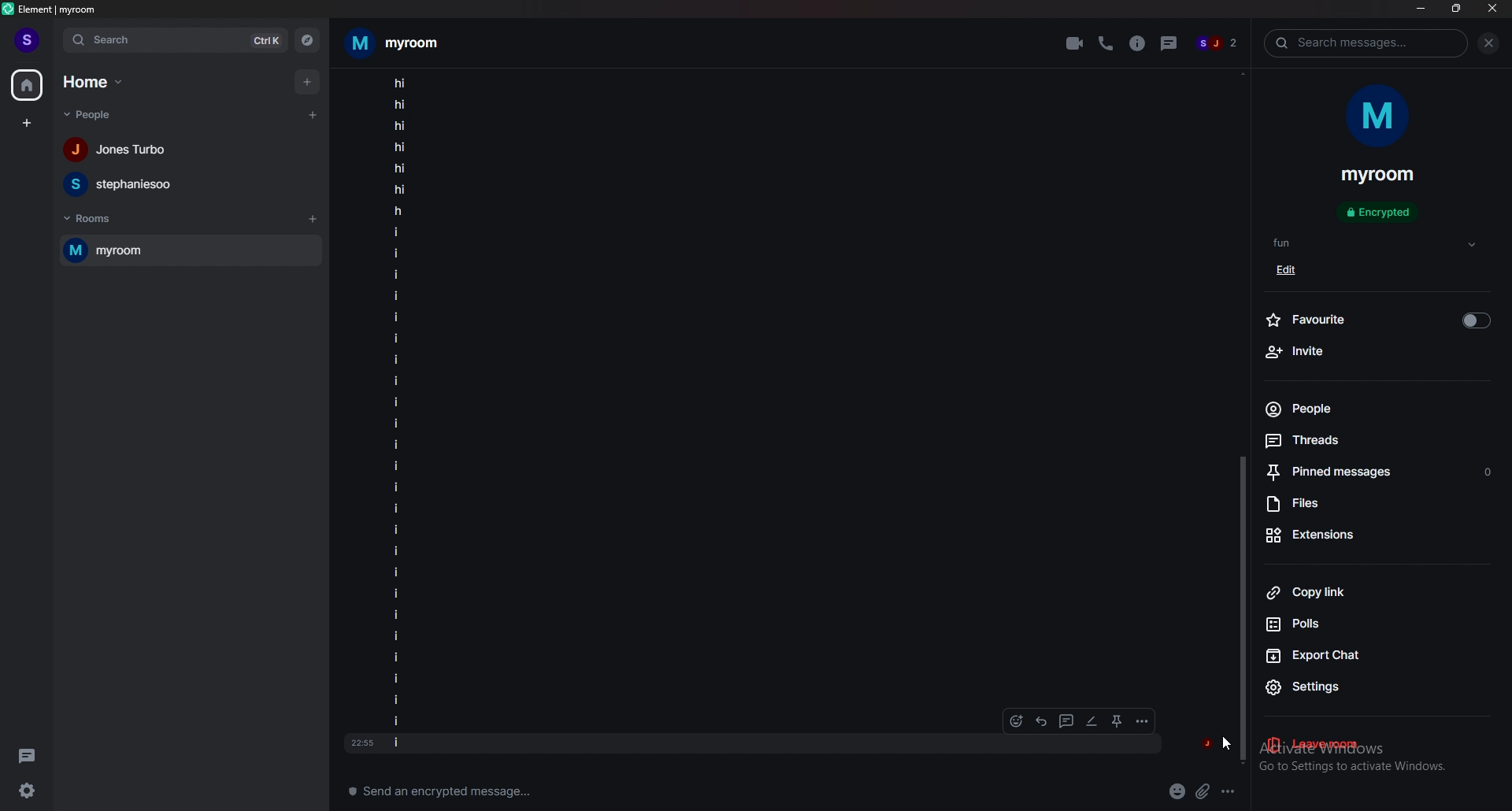 The width and height of the screenshot is (1512, 811). Describe the element at coordinates (359, 738) in the screenshot. I see `22:55` at that location.